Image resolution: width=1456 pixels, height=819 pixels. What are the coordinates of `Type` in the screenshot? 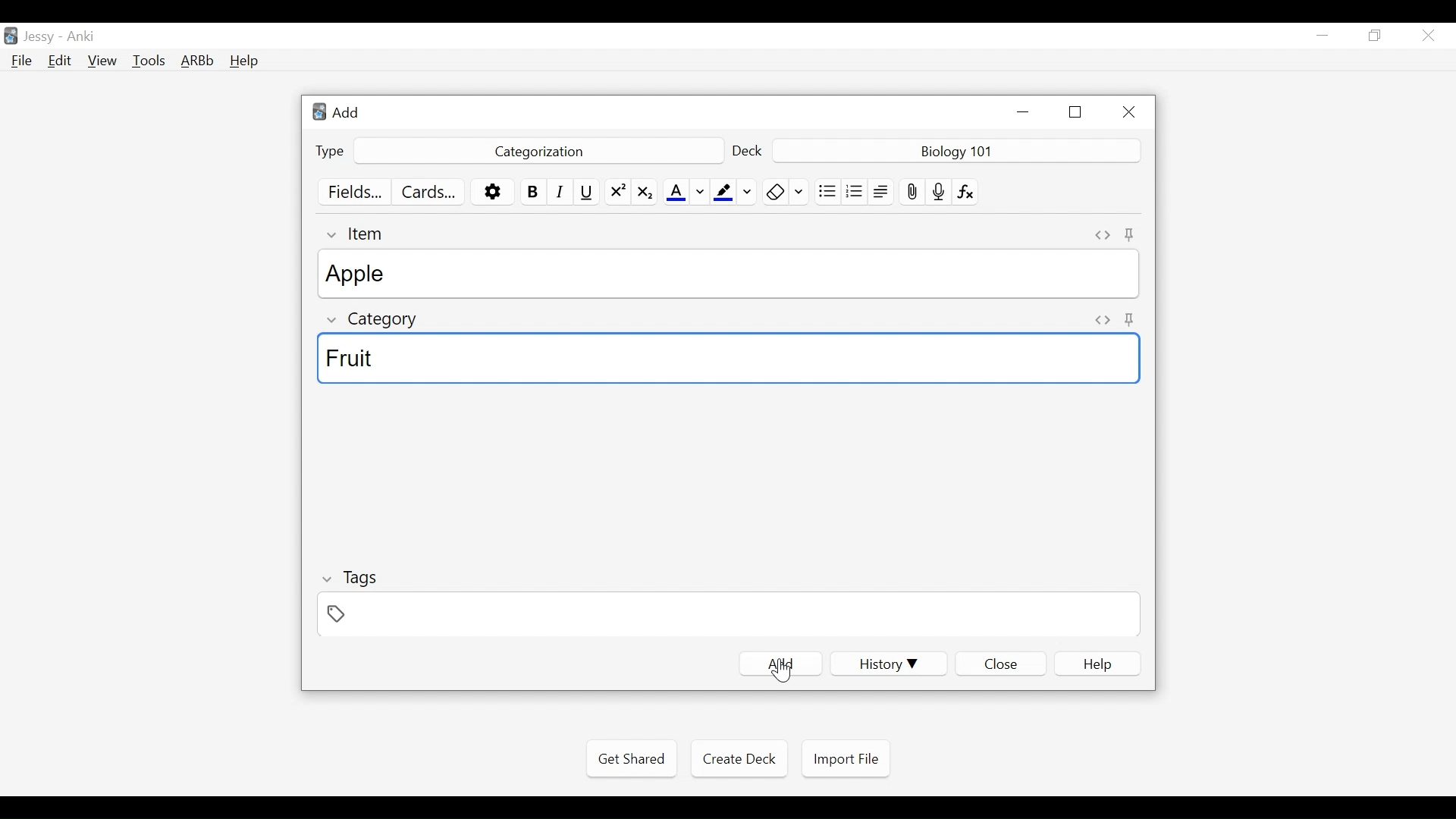 It's located at (330, 152).